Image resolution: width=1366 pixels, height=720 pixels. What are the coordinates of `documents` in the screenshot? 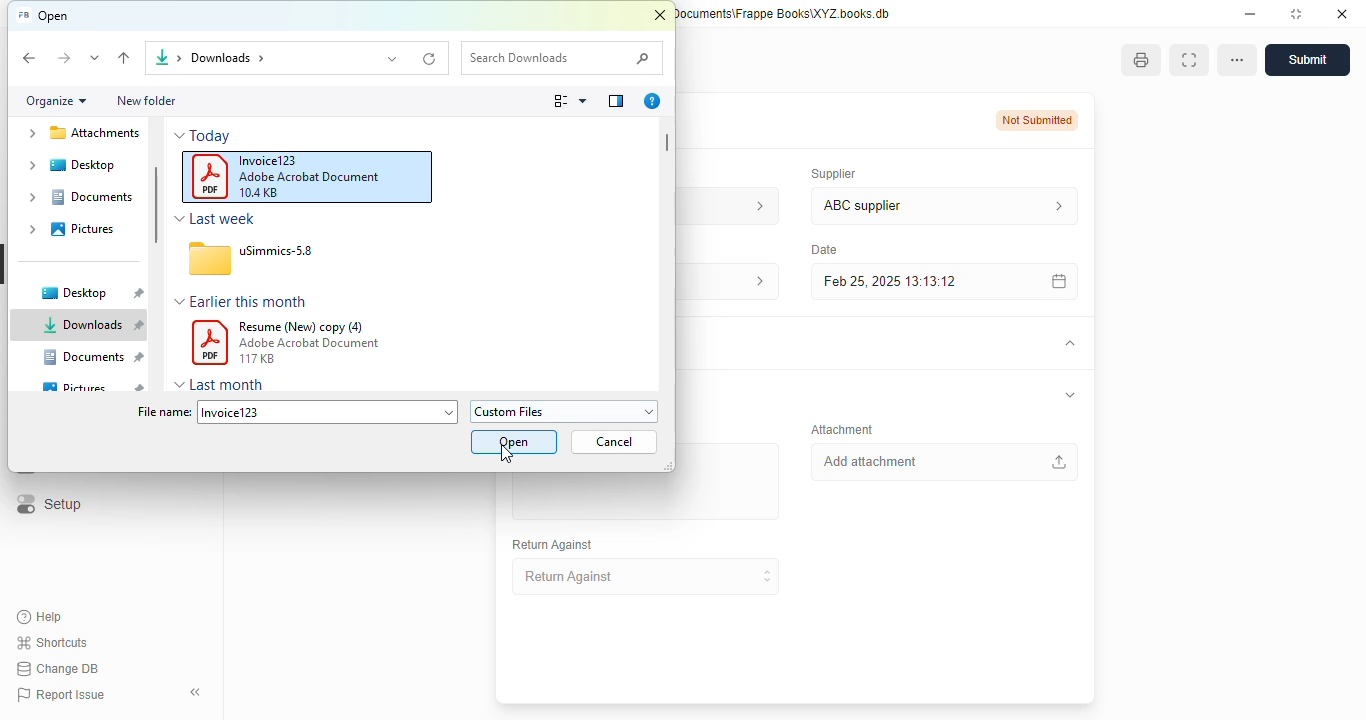 It's located at (77, 197).